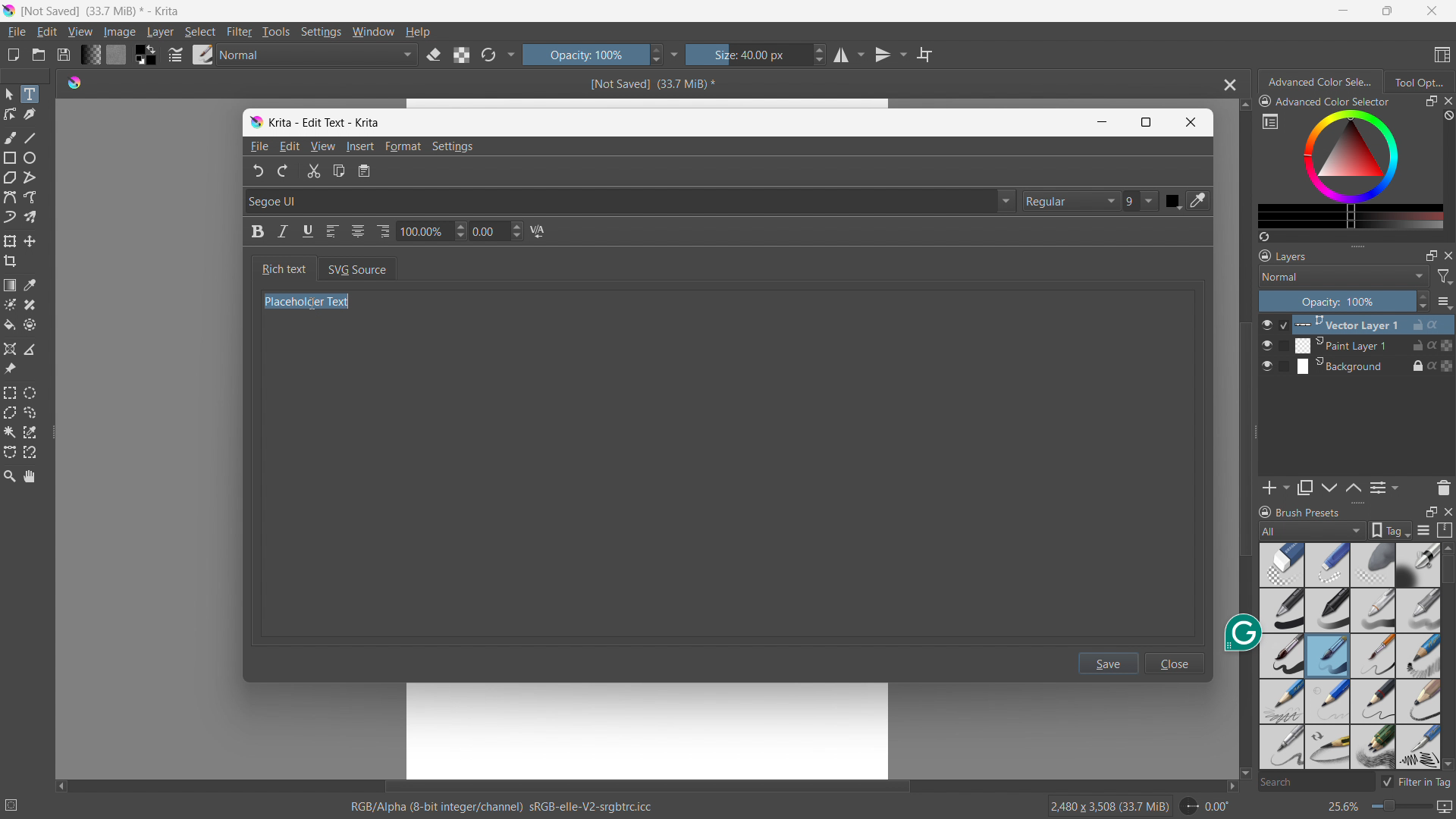  What do you see at coordinates (10, 218) in the screenshot?
I see `dynamic brush tool` at bounding box center [10, 218].